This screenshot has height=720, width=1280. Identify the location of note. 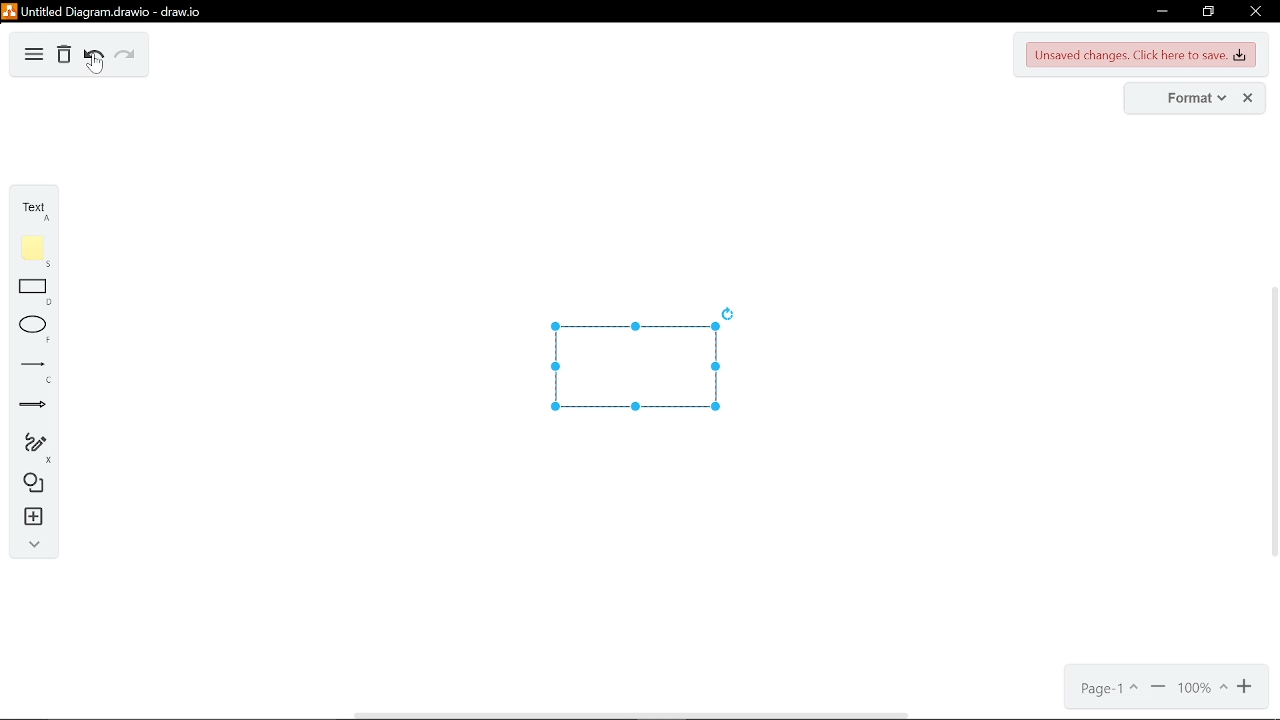
(37, 252).